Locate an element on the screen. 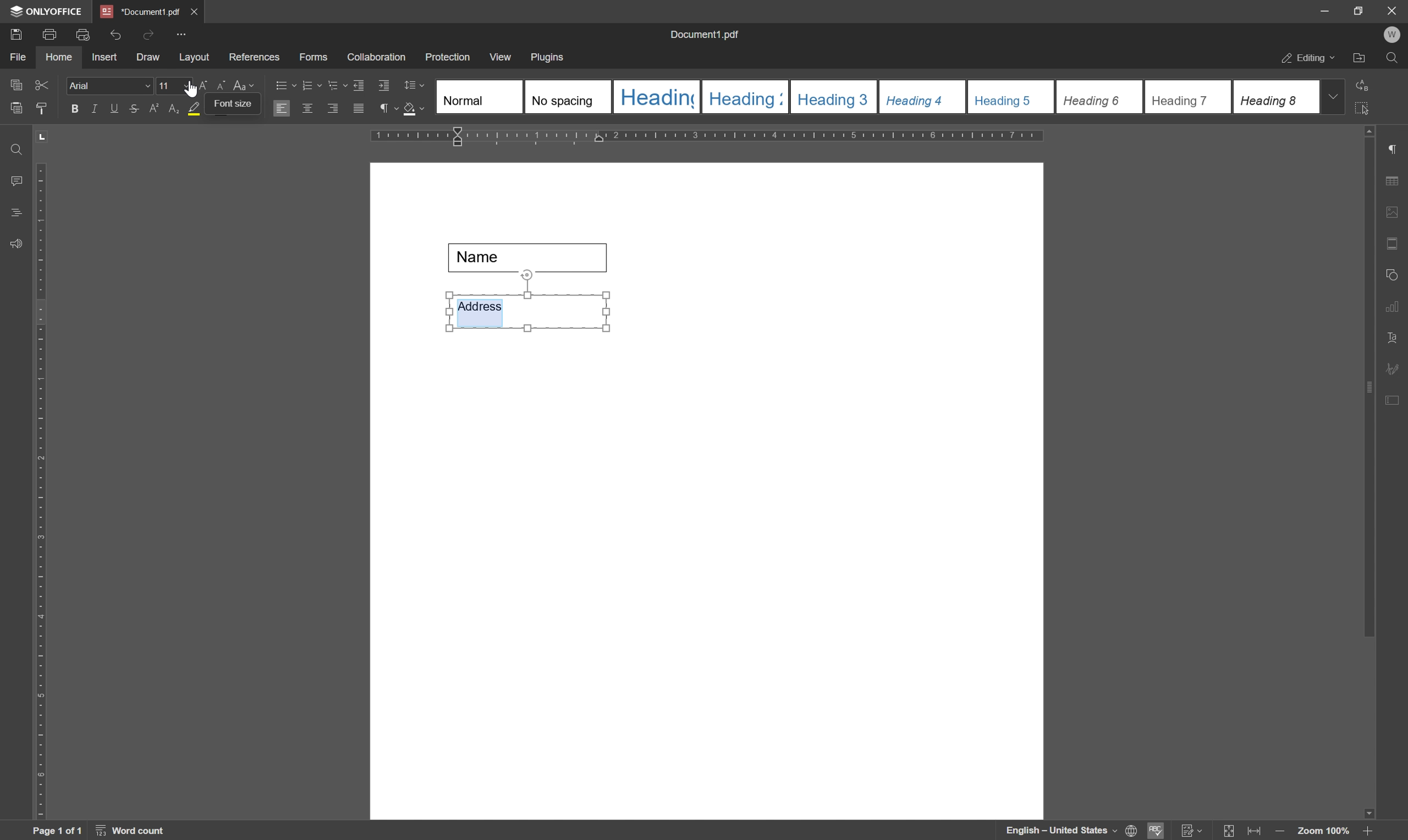 The width and height of the screenshot is (1408, 840). restore down is located at coordinates (1354, 10).